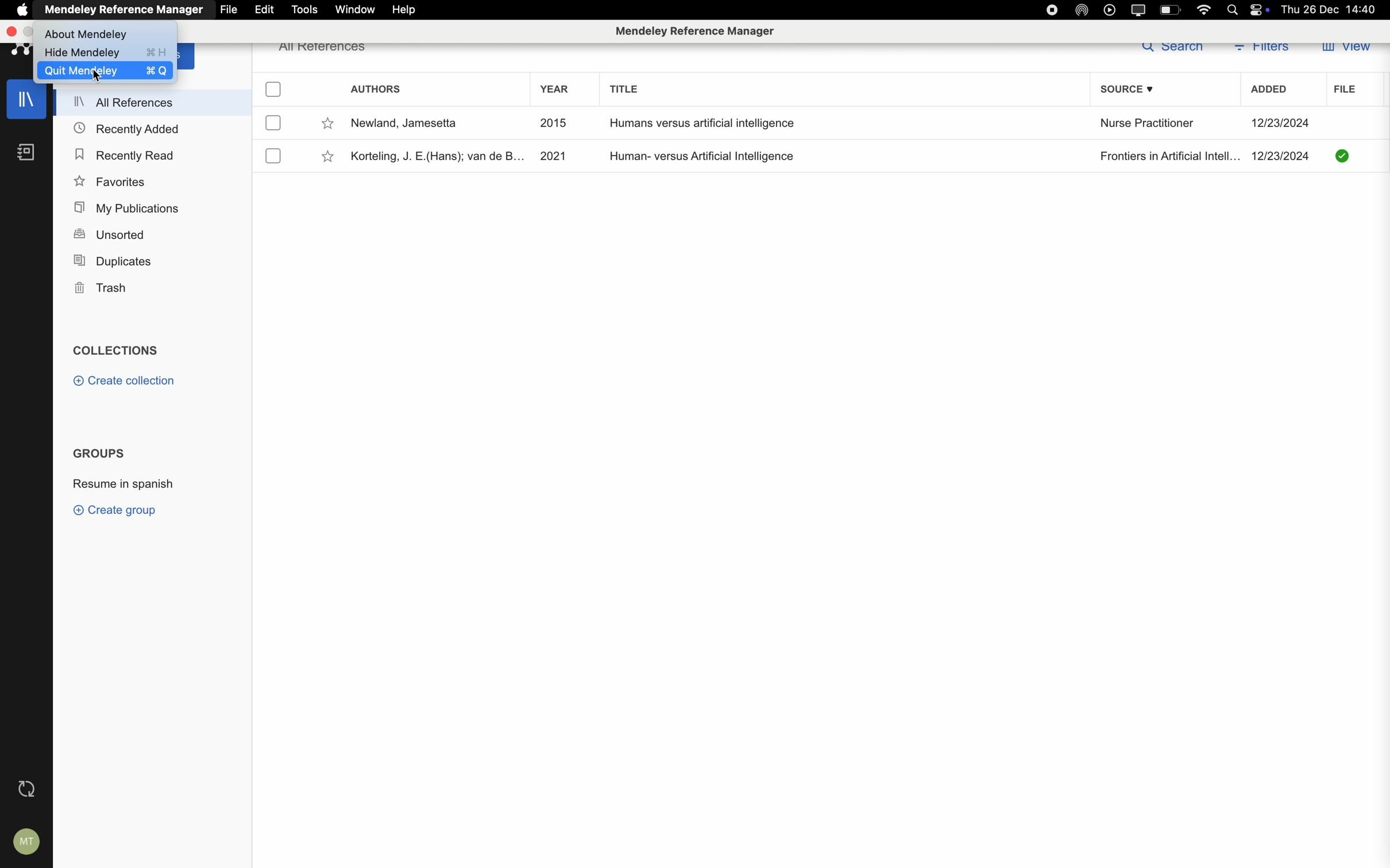  What do you see at coordinates (376, 88) in the screenshot?
I see `authors` at bounding box center [376, 88].